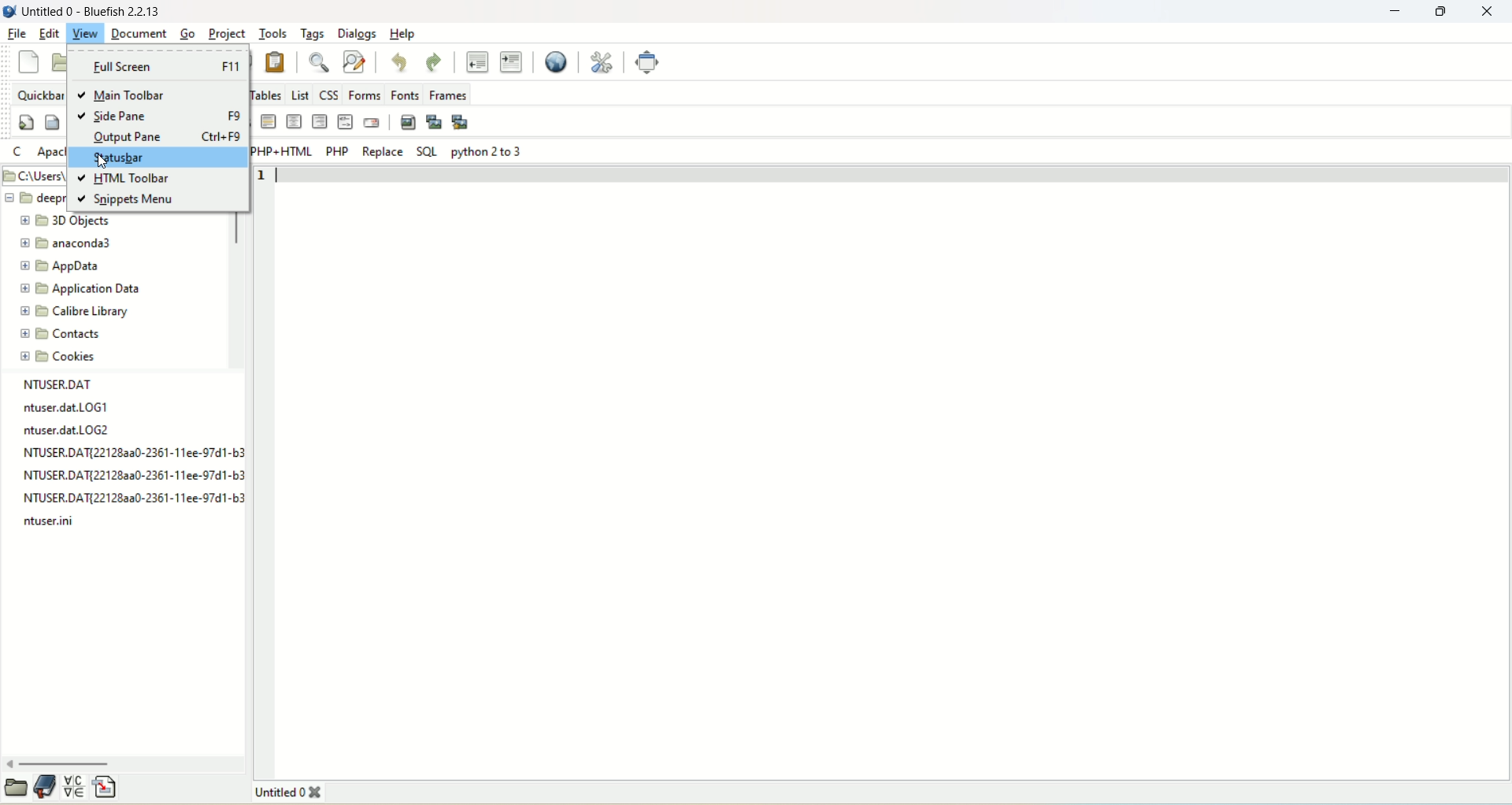  Describe the element at coordinates (649, 62) in the screenshot. I see `fullscreen` at that location.